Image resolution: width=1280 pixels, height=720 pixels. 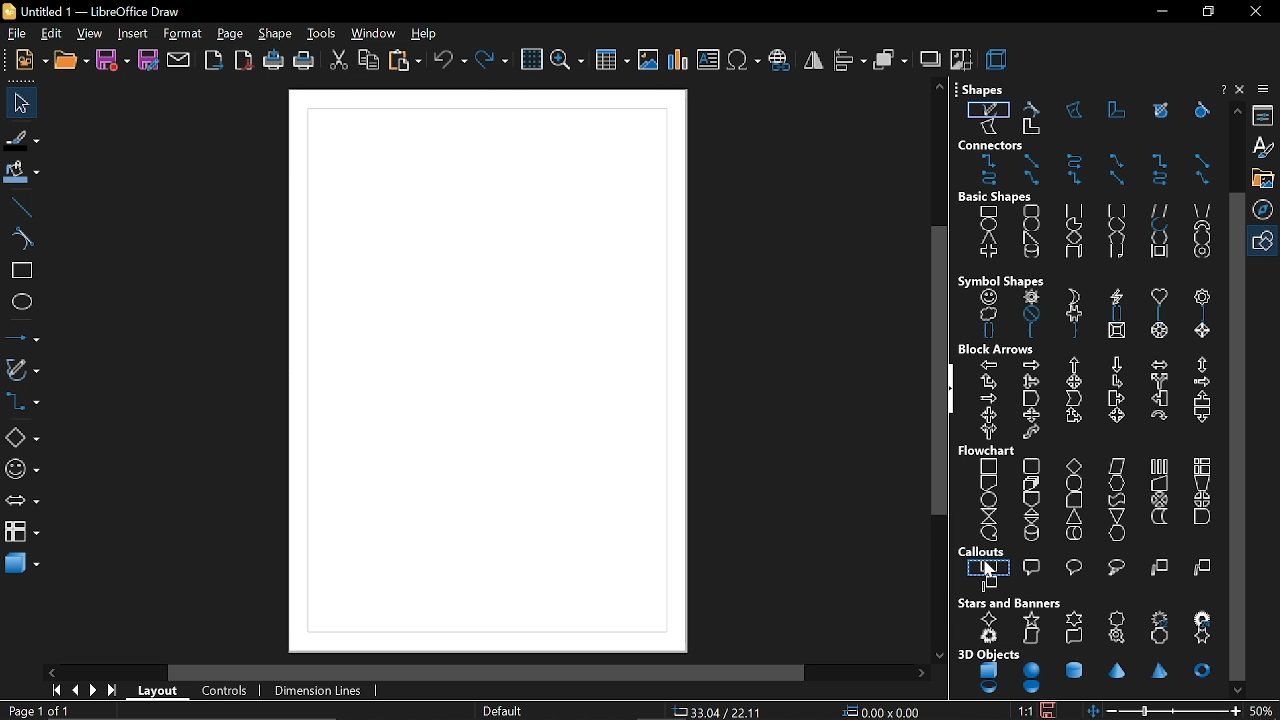 What do you see at coordinates (1158, 401) in the screenshot?
I see `left arrow callout` at bounding box center [1158, 401].